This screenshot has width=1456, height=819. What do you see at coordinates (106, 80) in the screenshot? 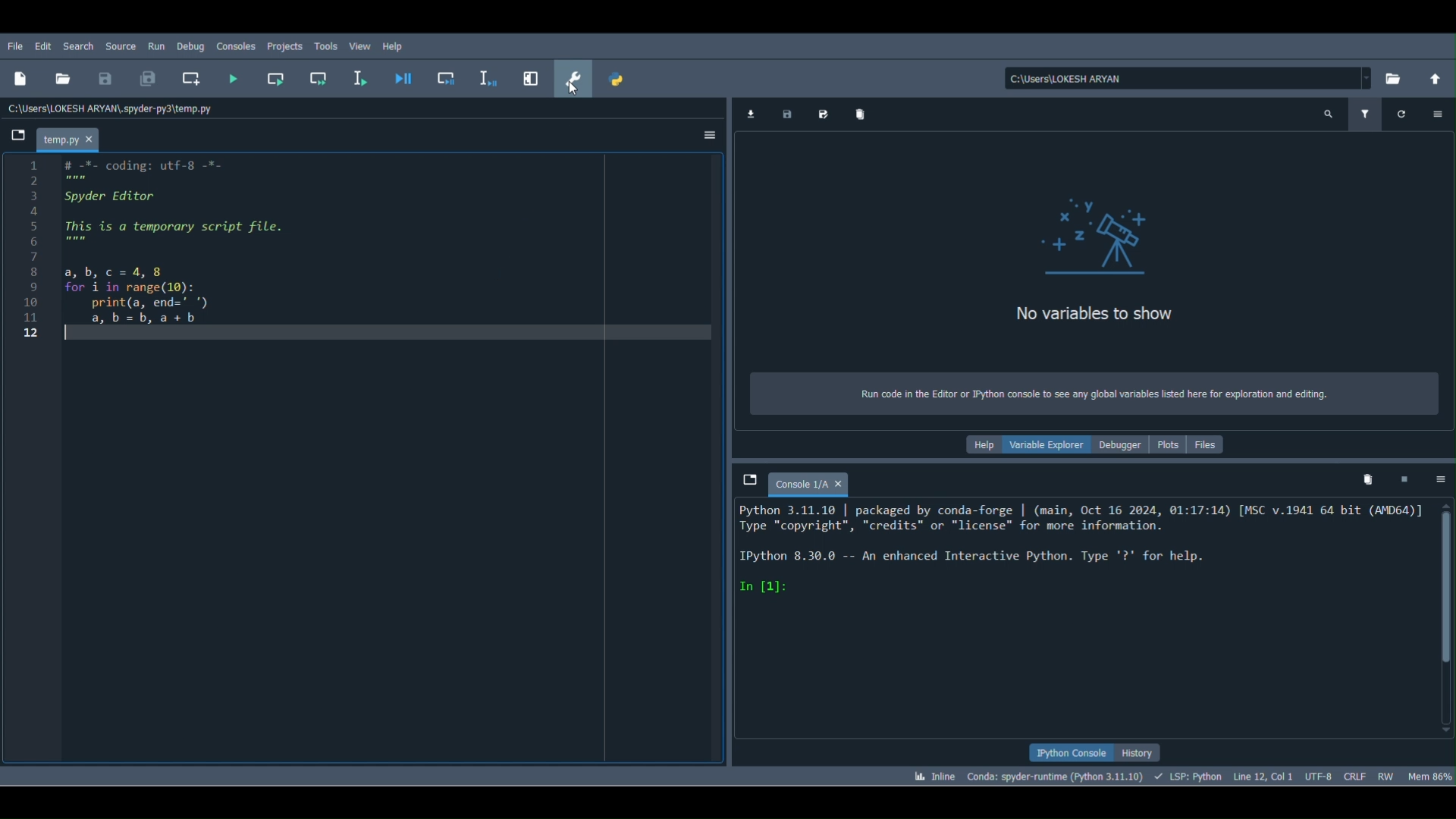
I see `Save file ( Ctrl + S)` at bounding box center [106, 80].